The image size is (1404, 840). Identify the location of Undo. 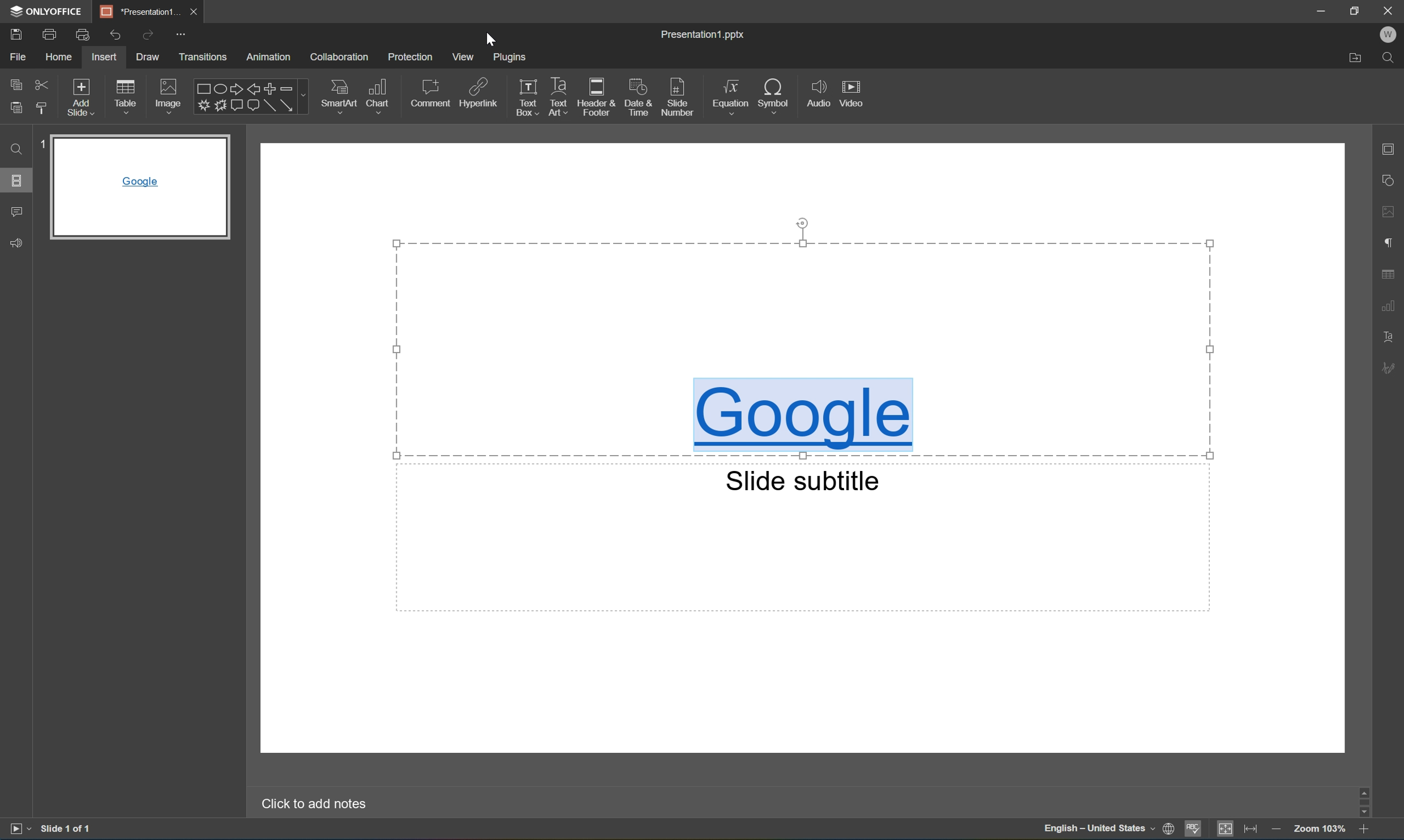
(115, 36).